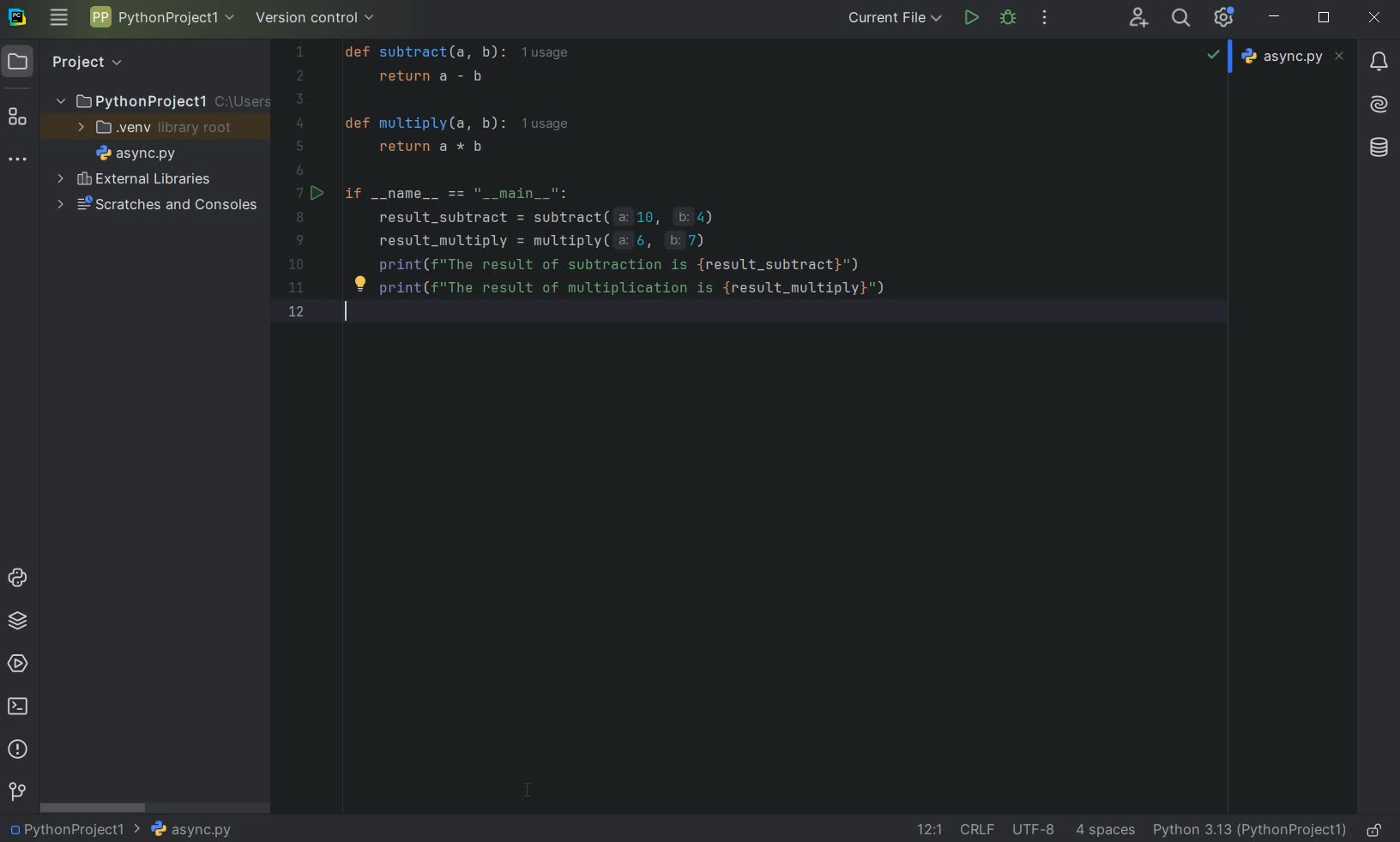  Describe the element at coordinates (970, 18) in the screenshot. I see `run` at that location.